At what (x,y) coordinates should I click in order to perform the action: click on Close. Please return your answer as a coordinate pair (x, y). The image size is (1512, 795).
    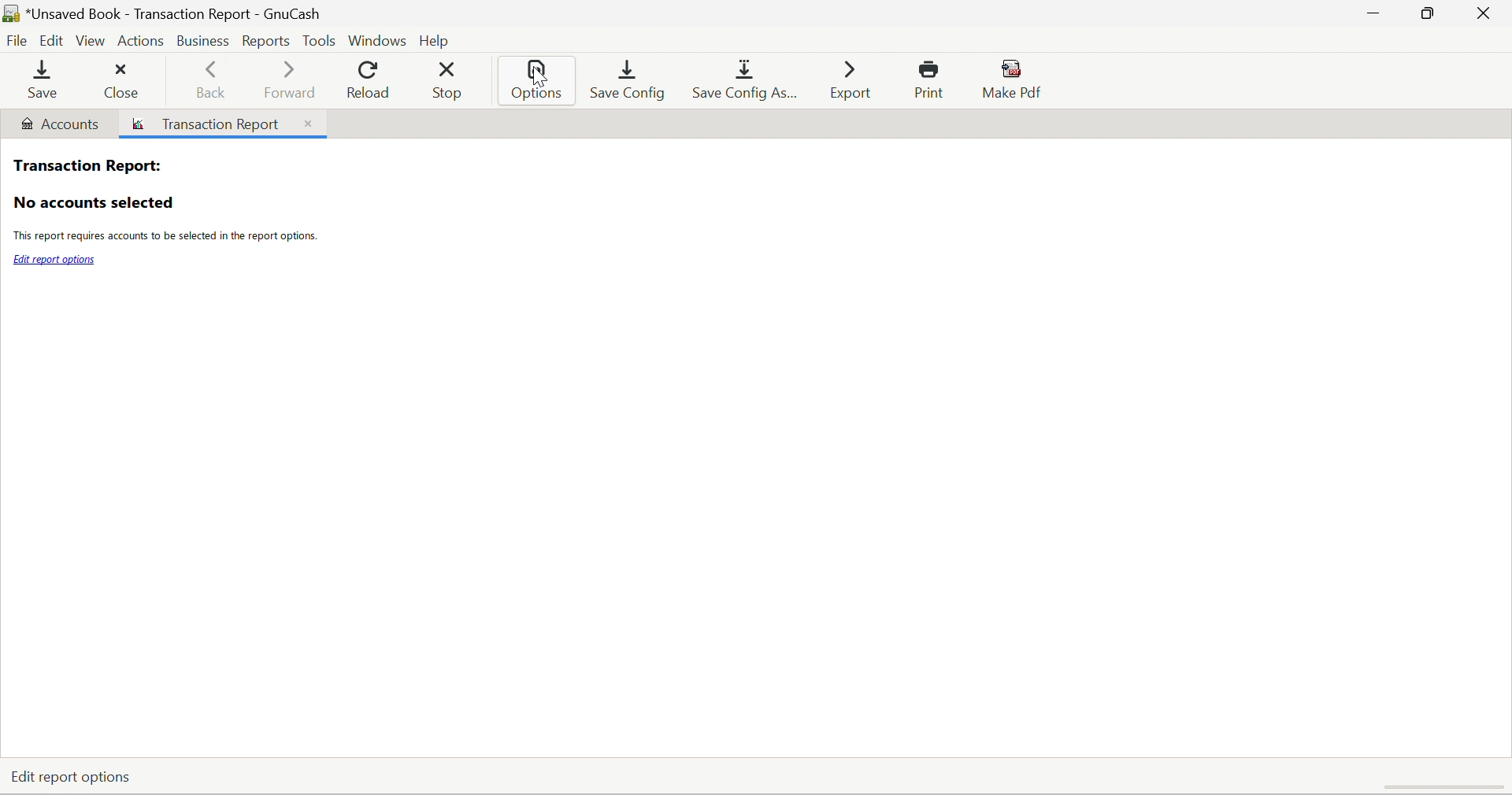
    Looking at the image, I should click on (306, 123).